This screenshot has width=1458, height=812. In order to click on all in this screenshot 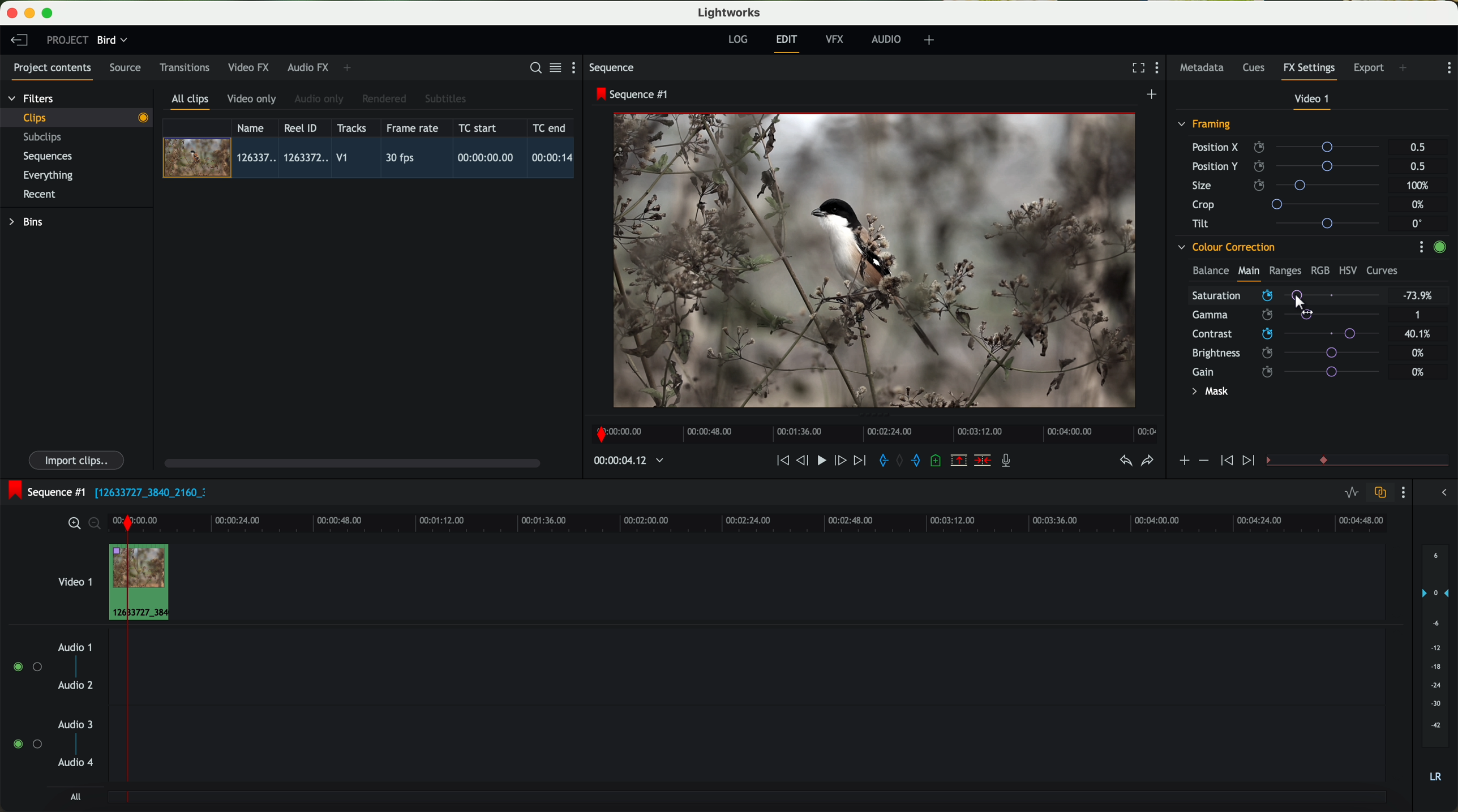, I will do `click(75, 797)`.